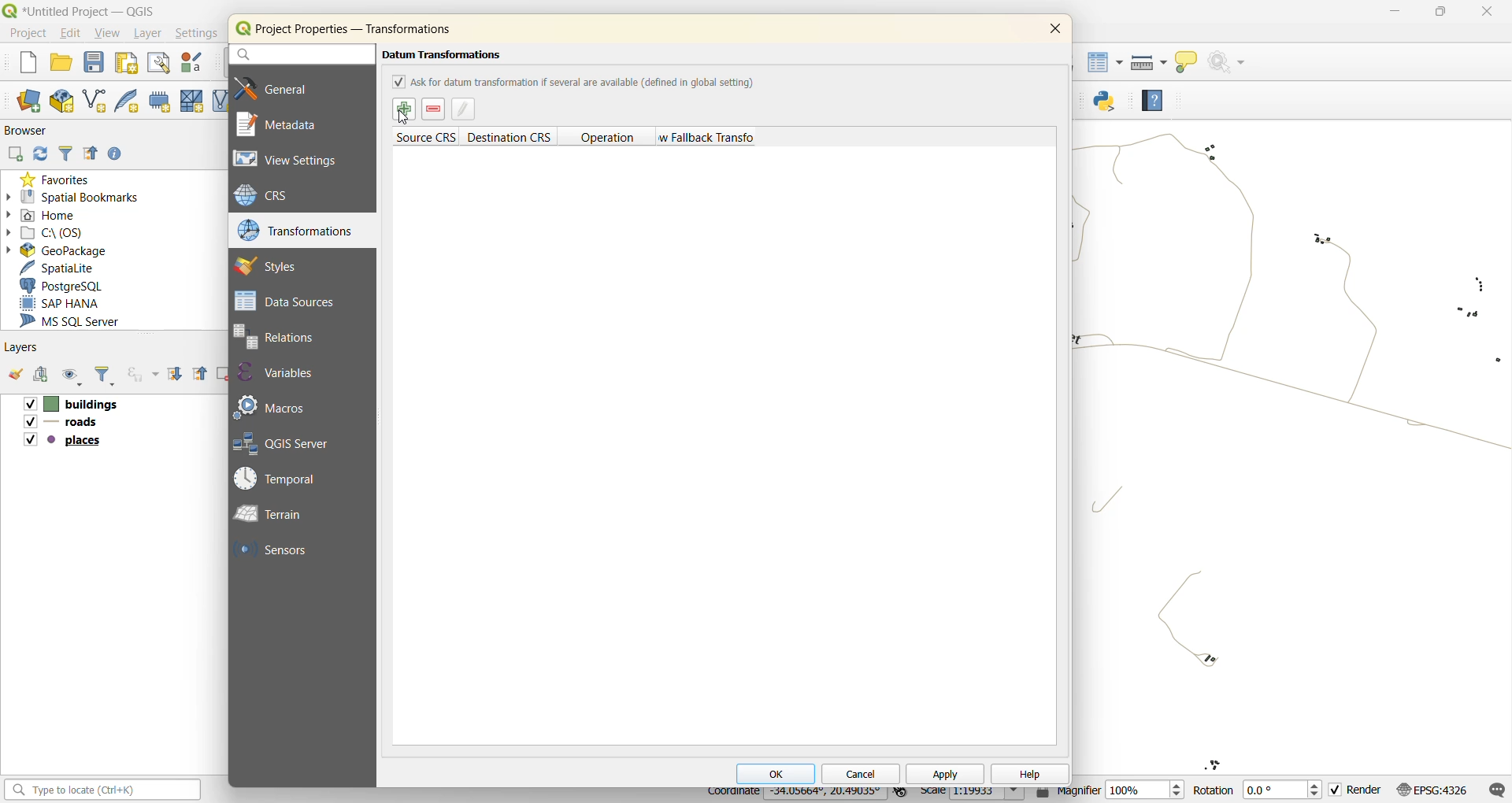 The height and width of the screenshot is (803, 1512). Describe the element at coordinates (443, 54) in the screenshot. I see `Datum Transformations` at that location.